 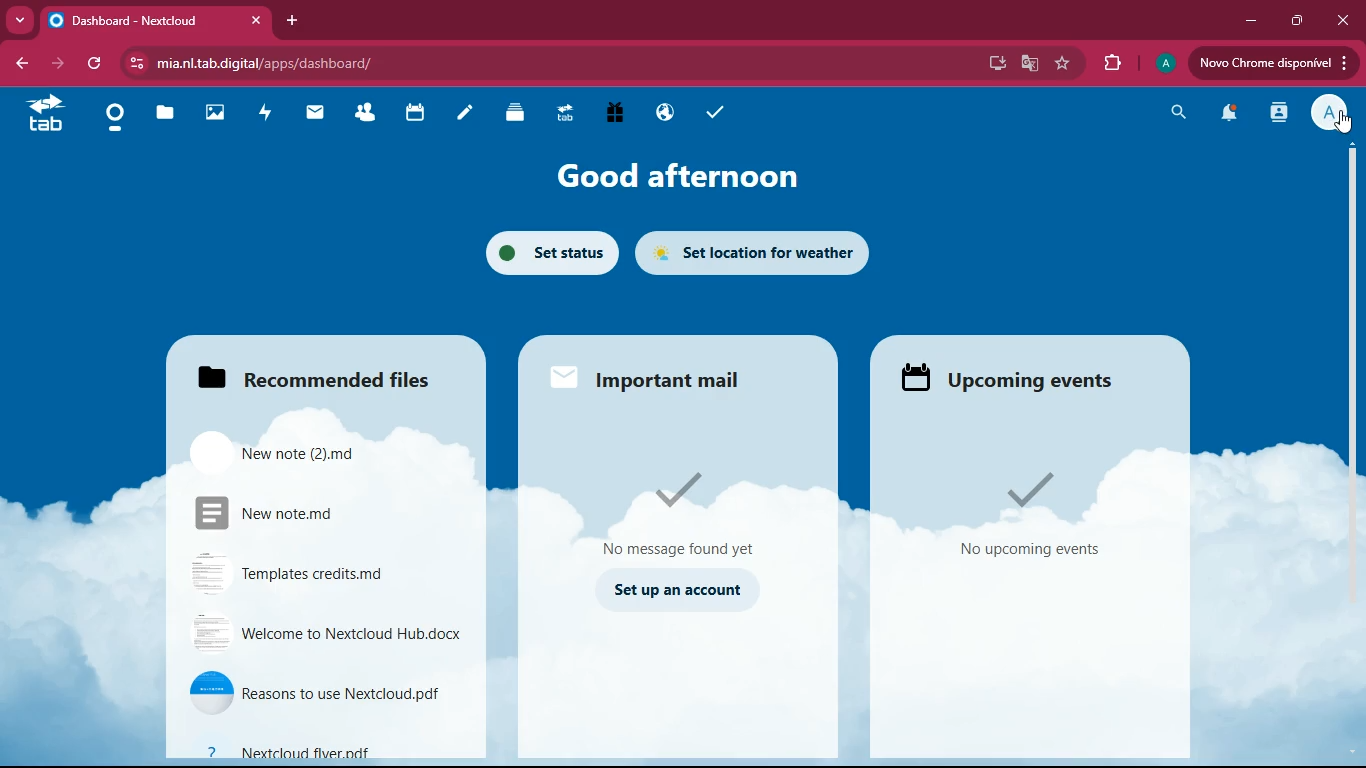 I want to click on layers, so click(x=515, y=112).